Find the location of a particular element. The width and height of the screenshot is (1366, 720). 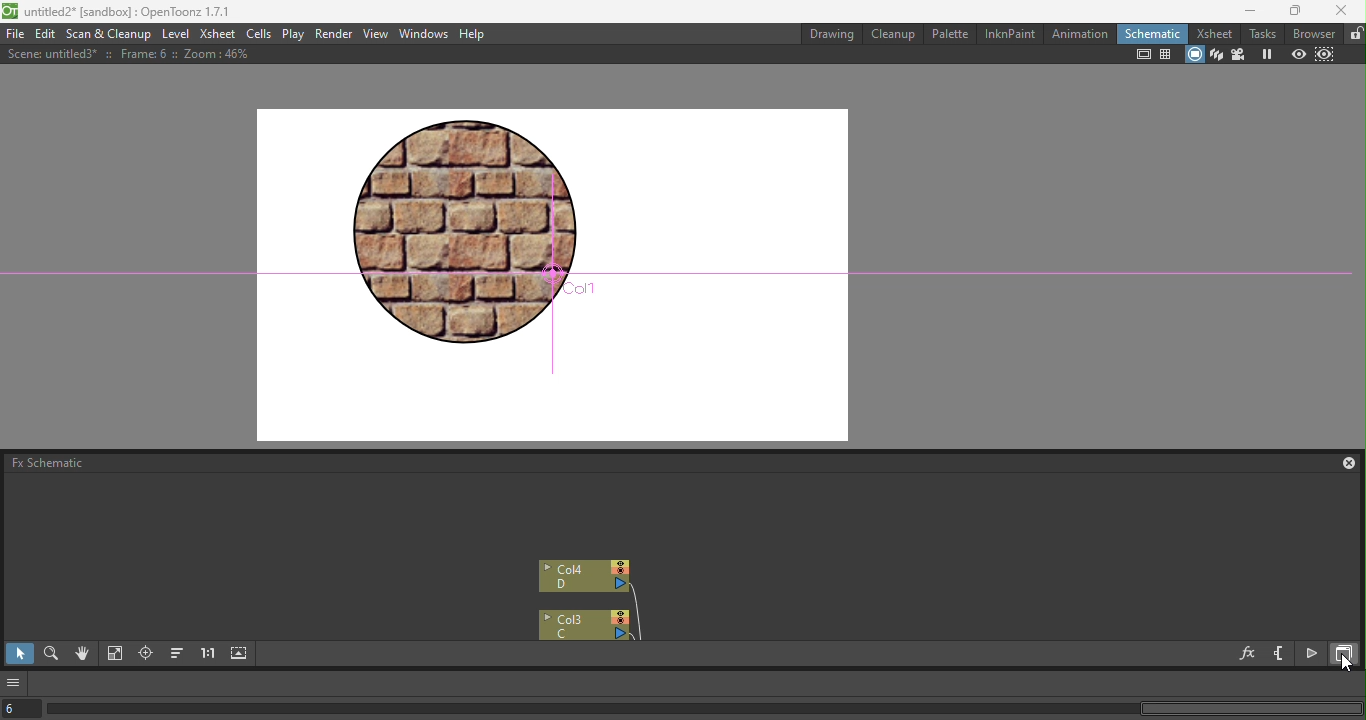

Maximize is located at coordinates (1288, 10).